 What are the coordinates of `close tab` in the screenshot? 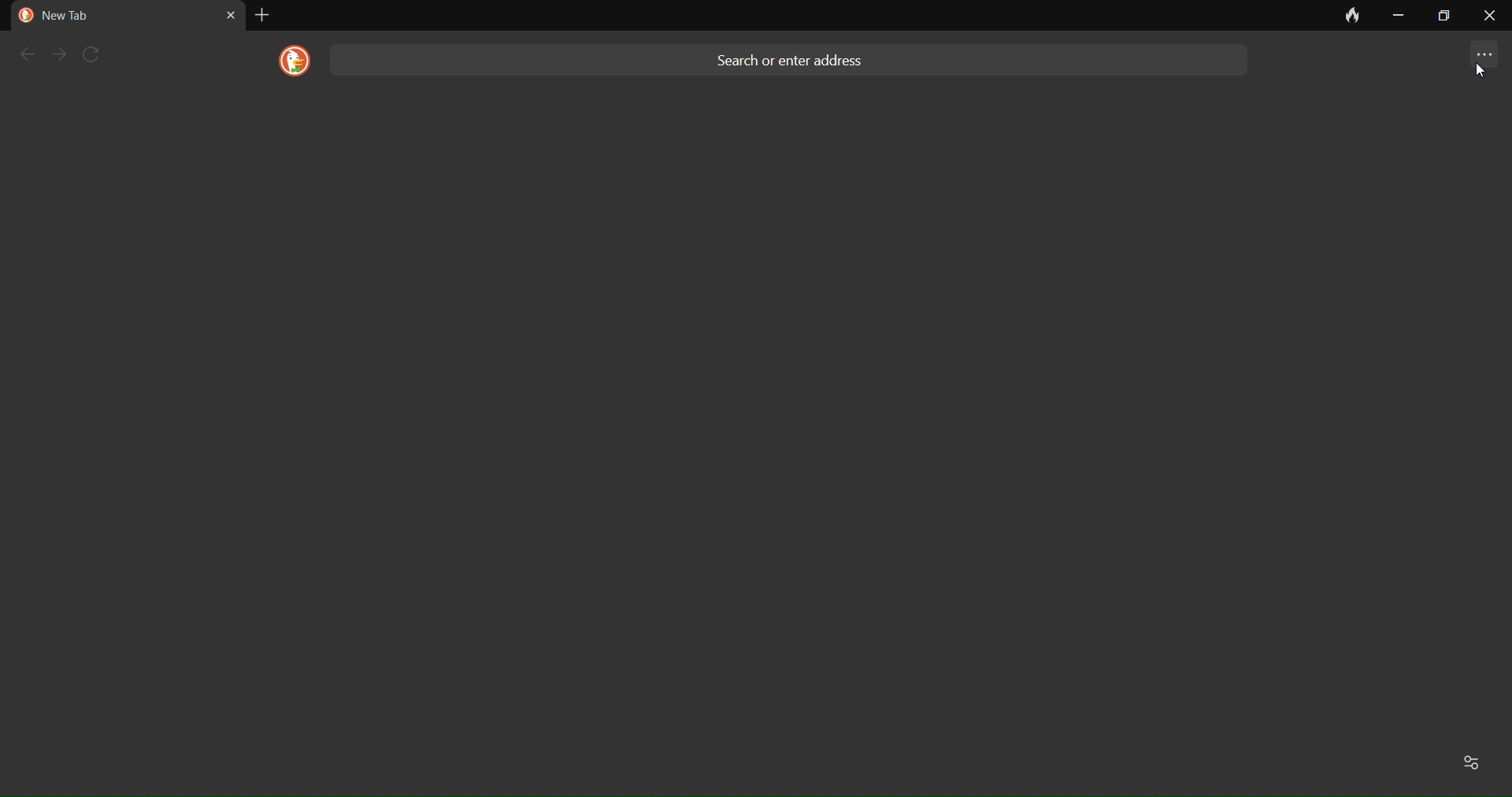 It's located at (230, 14).